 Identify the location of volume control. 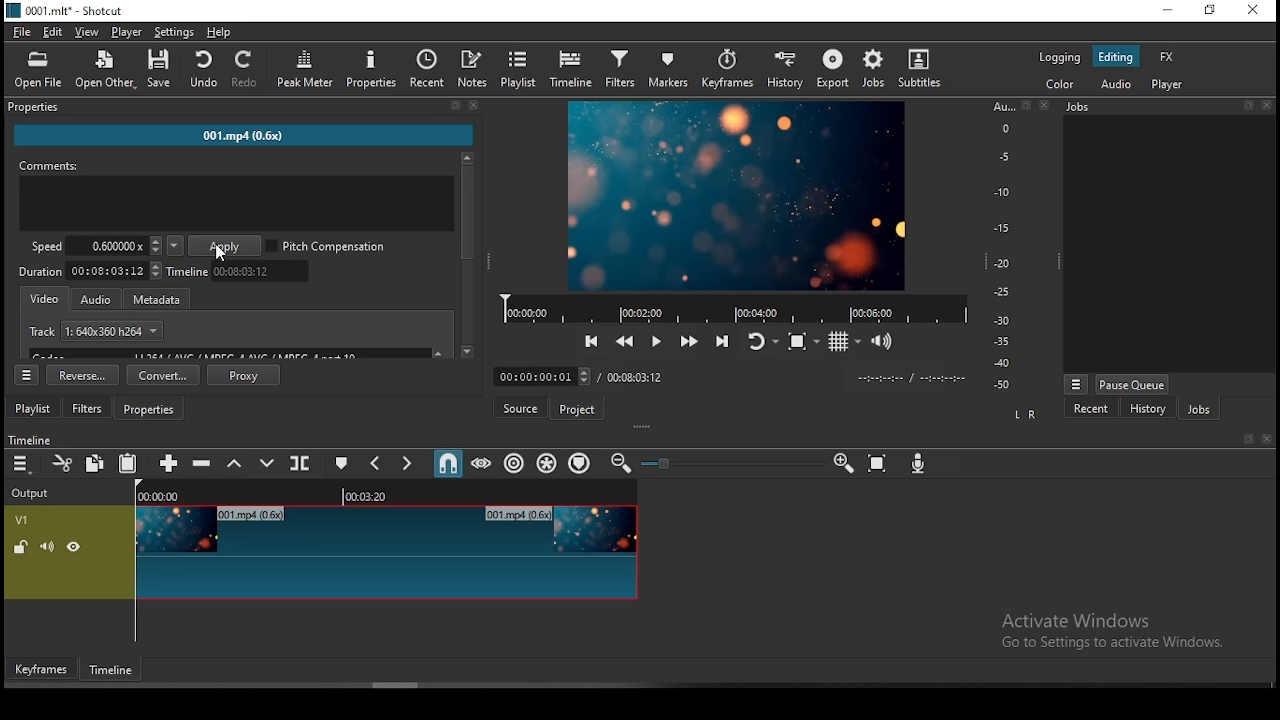
(883, 341).